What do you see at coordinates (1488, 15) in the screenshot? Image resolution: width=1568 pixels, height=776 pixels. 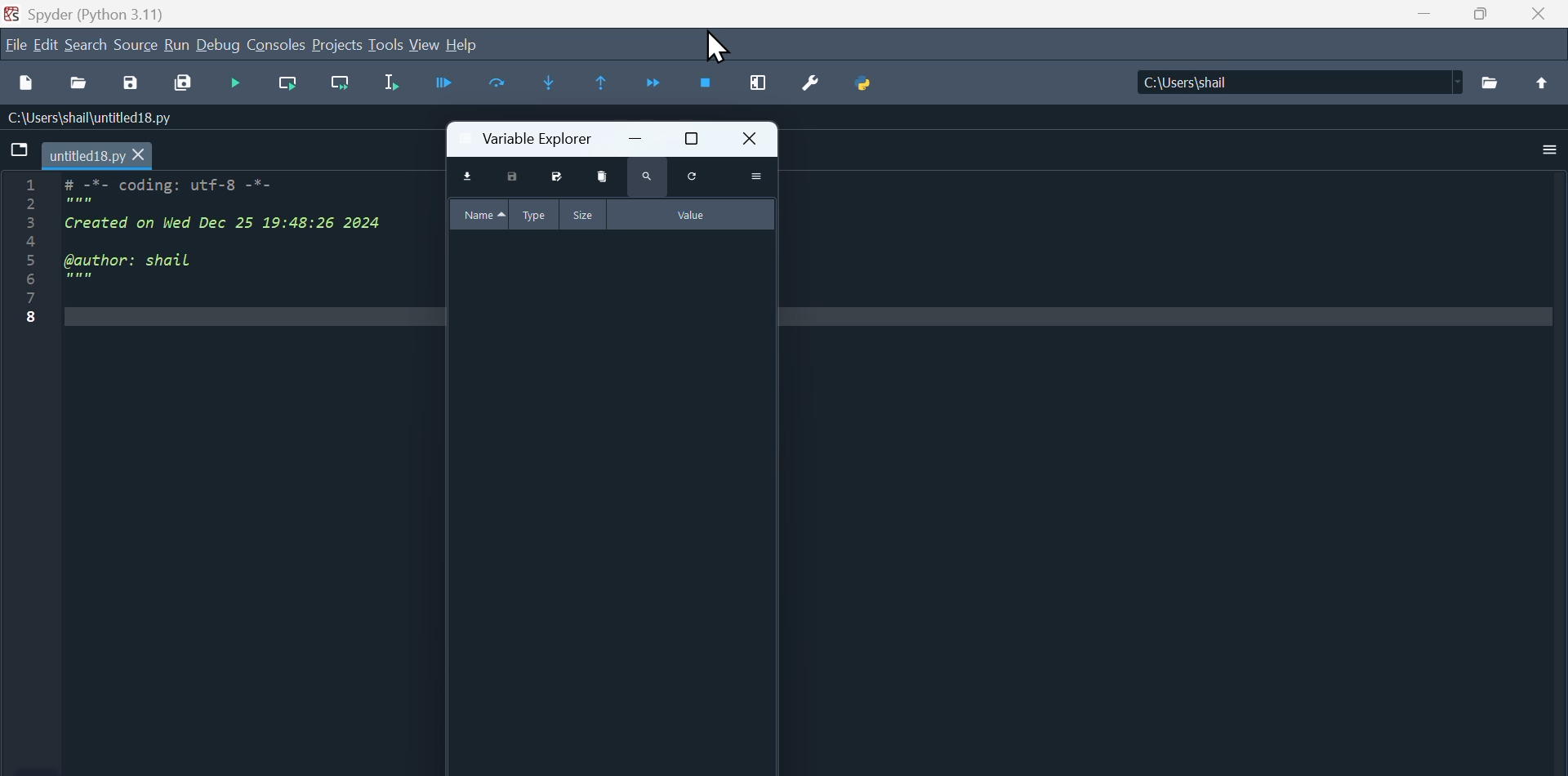 I see `Maximize` at bounding box center [1488, 15].